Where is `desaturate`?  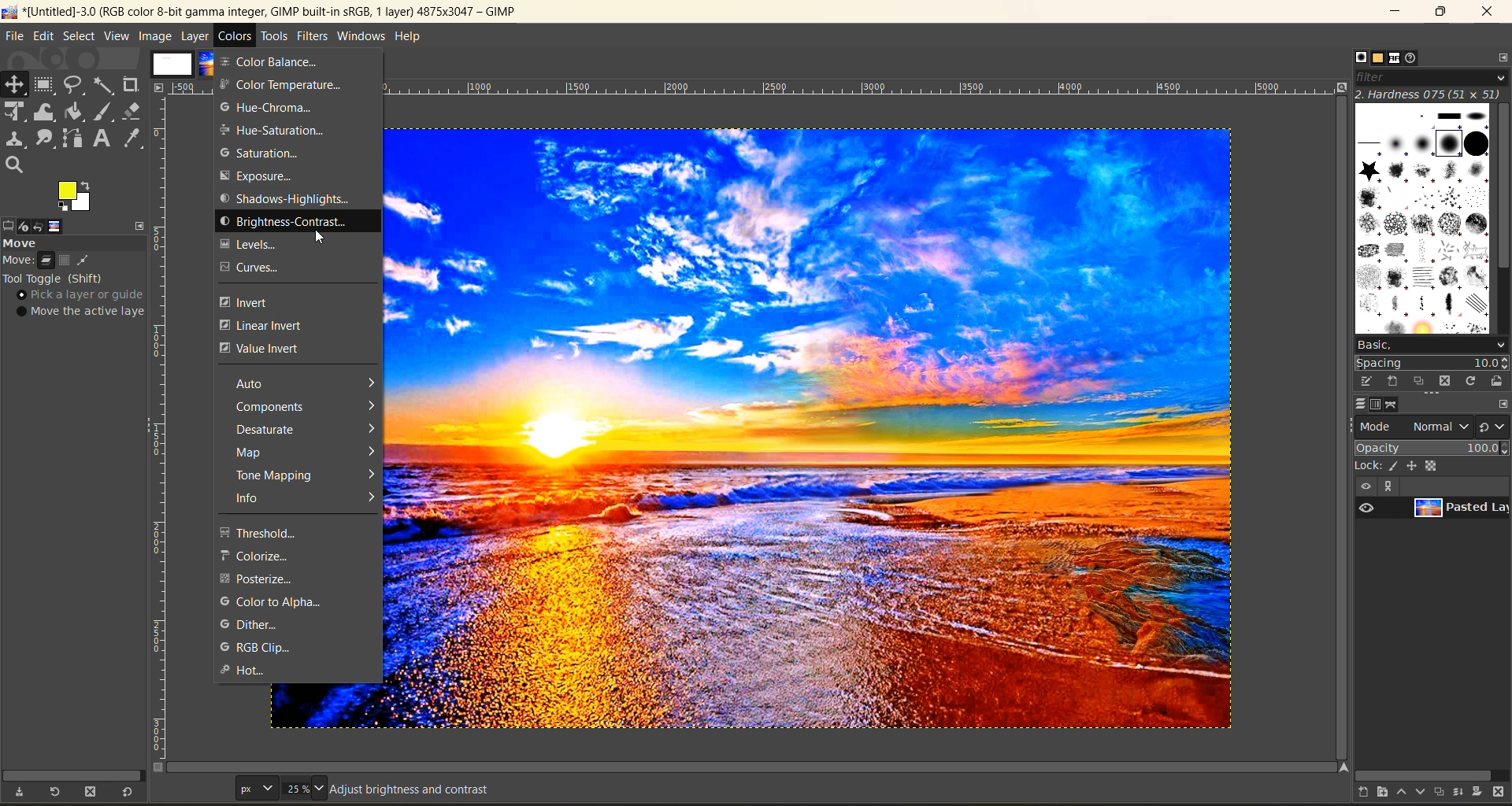 desaturate is located at coordinates (308, 429).